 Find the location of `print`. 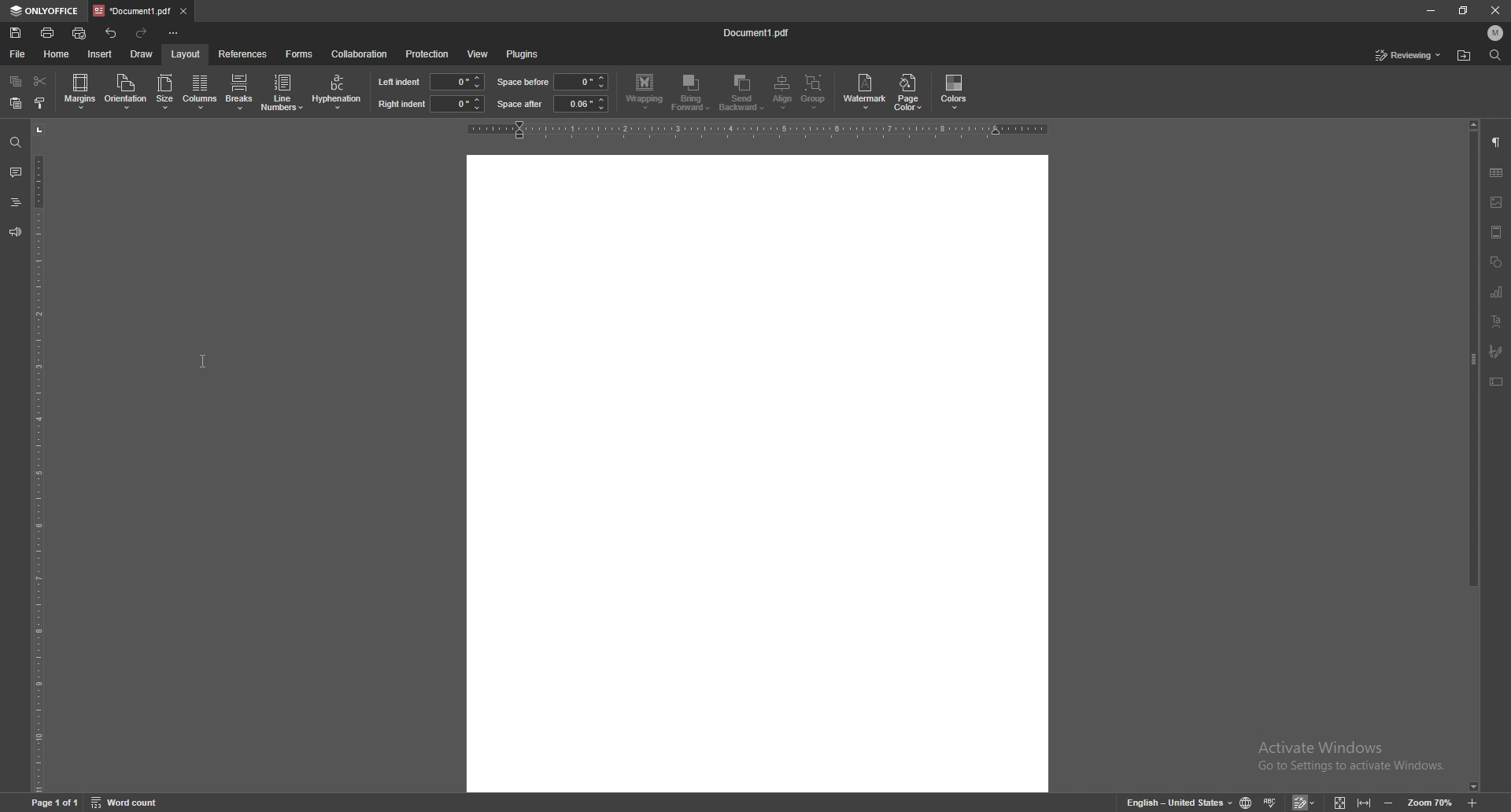

print is located at coordinates (49, 33).